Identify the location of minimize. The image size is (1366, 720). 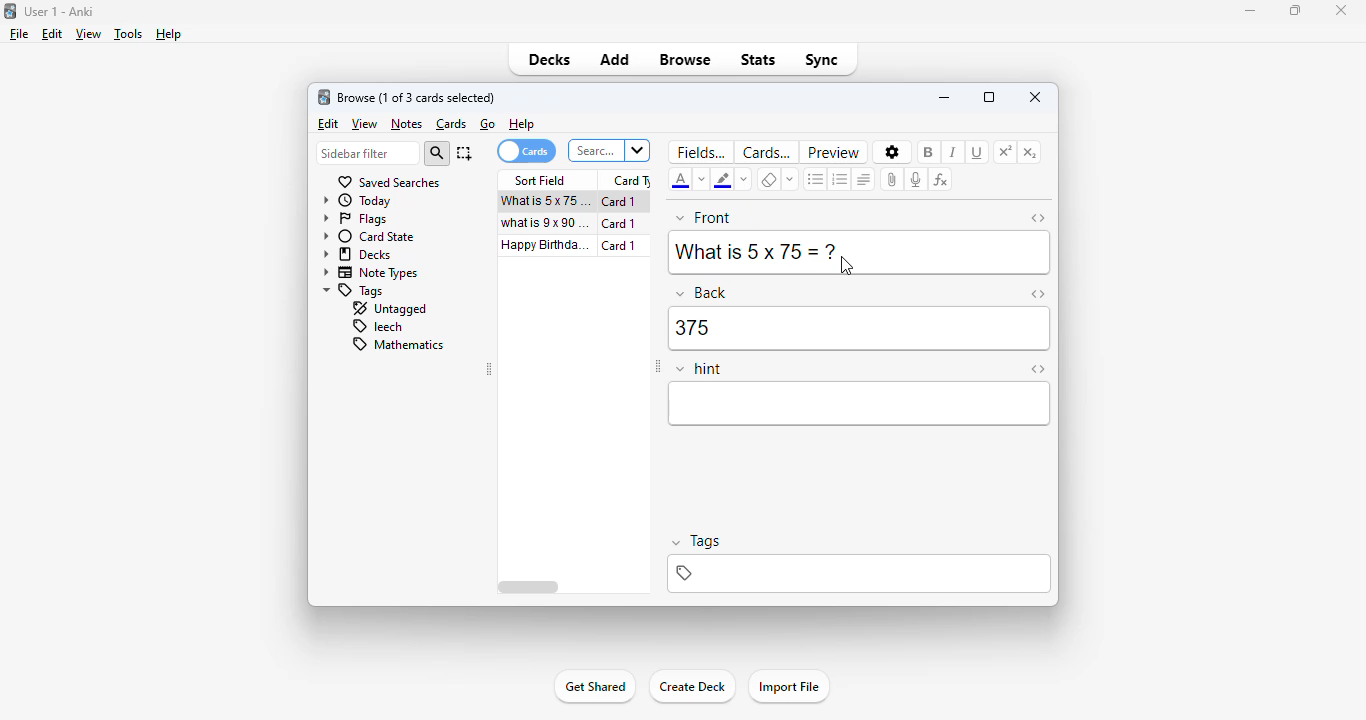
(1250, 11).